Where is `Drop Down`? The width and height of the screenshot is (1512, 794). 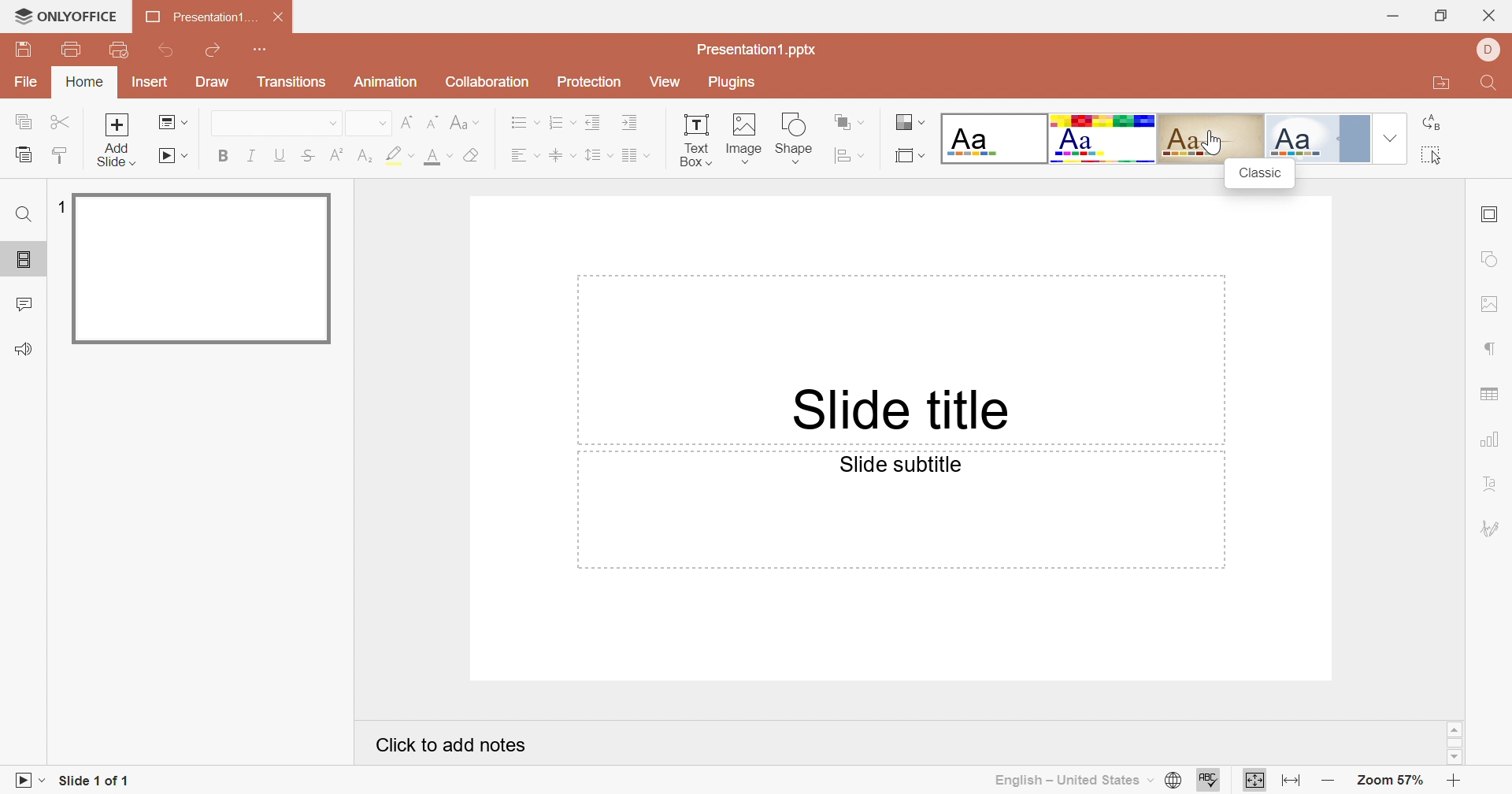
Drop Down is located at coordinates (861, 154).